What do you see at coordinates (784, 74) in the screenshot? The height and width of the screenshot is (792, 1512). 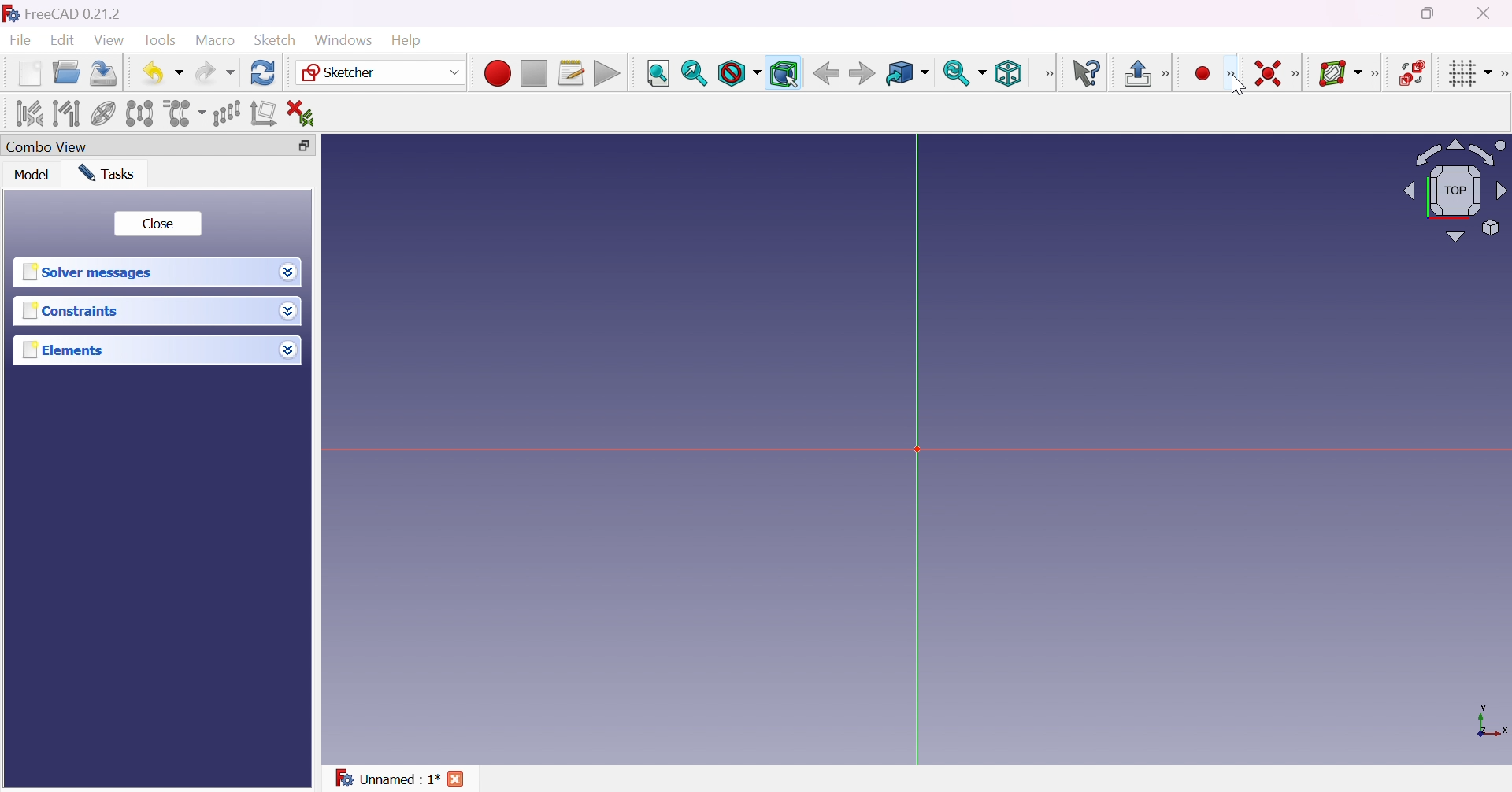 I see `Bounding box` at bounding box center [784, 74].